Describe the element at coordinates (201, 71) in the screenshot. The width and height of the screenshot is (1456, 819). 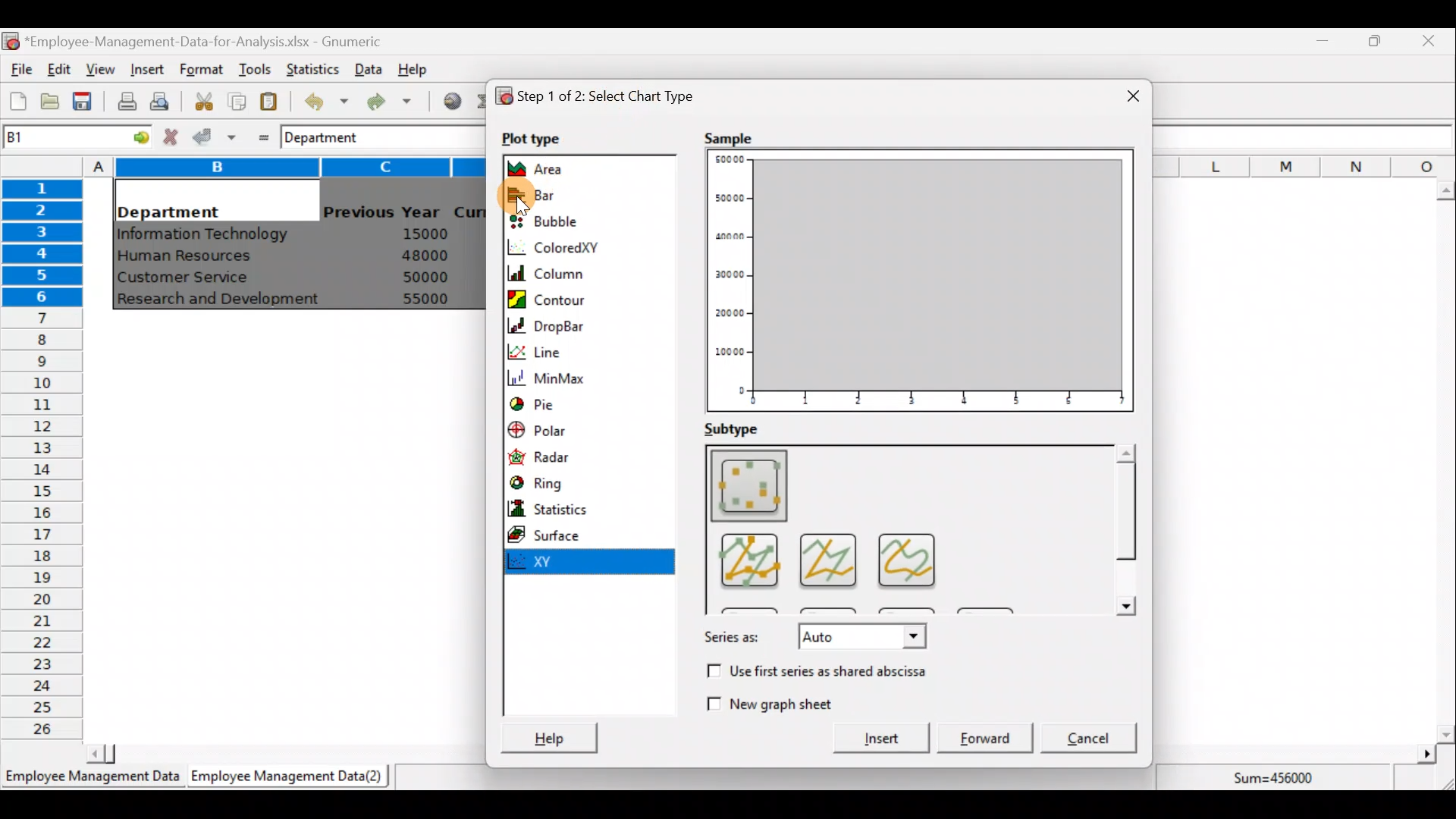
I see `Format` at that location.